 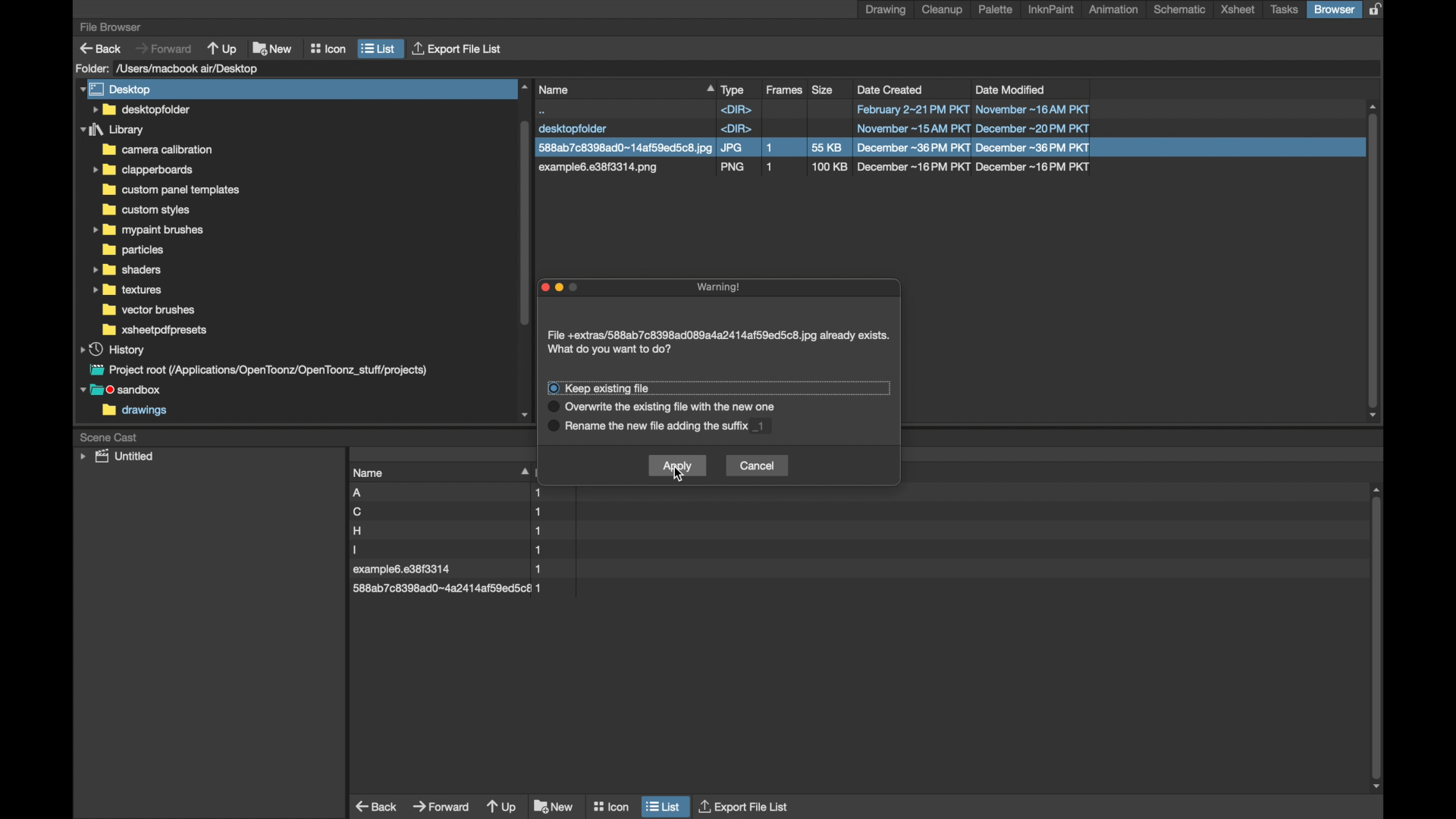 What do you see at coordinates (1011, 89) in the screenshot?
I see `date modified` at bounding box center [1011, 89].